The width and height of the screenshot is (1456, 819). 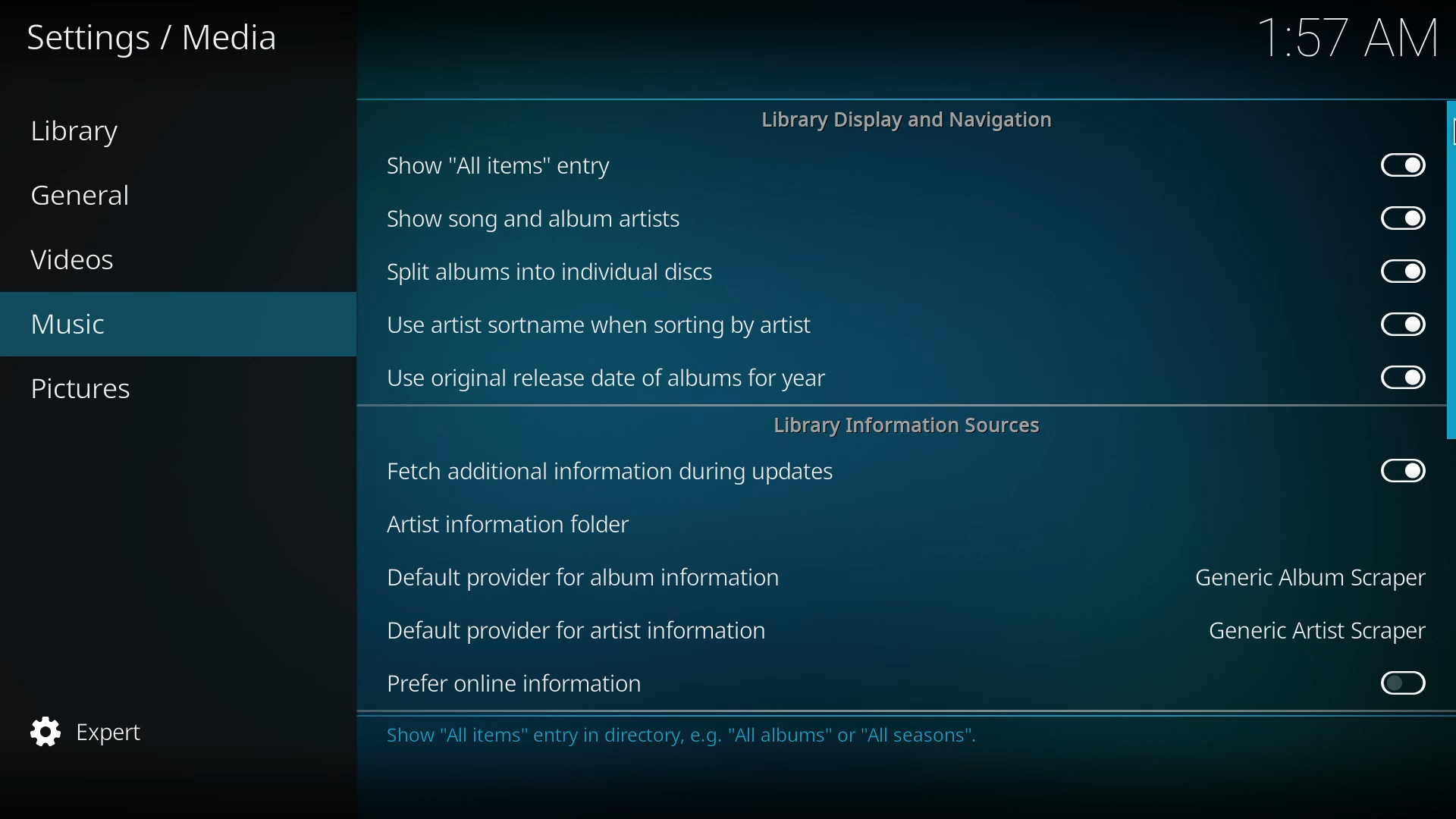 What do you see at coordinates (494, 165) in the screenshot?
I see `show all items entry` at bounding box center [494, 165].